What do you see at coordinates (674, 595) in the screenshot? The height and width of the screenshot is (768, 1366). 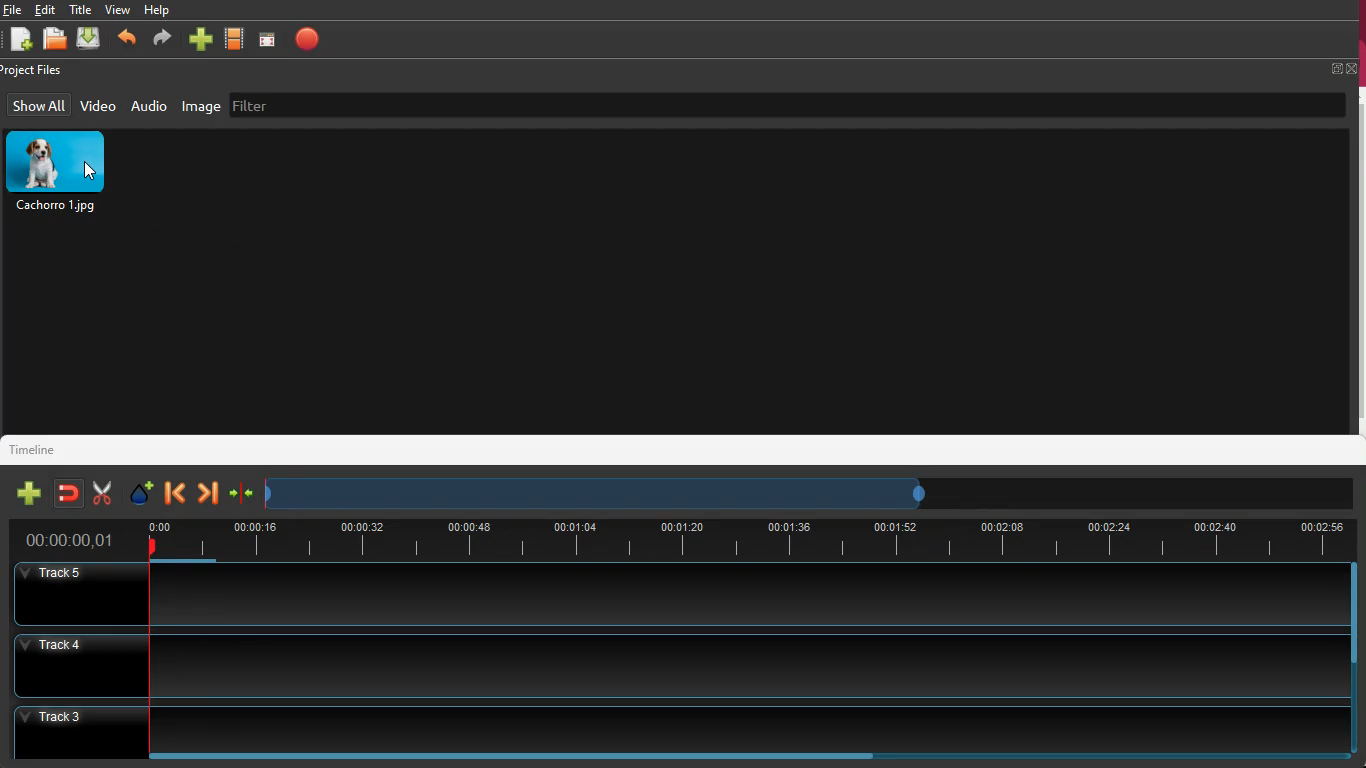 I see `track` at bounding box center [674, 595].